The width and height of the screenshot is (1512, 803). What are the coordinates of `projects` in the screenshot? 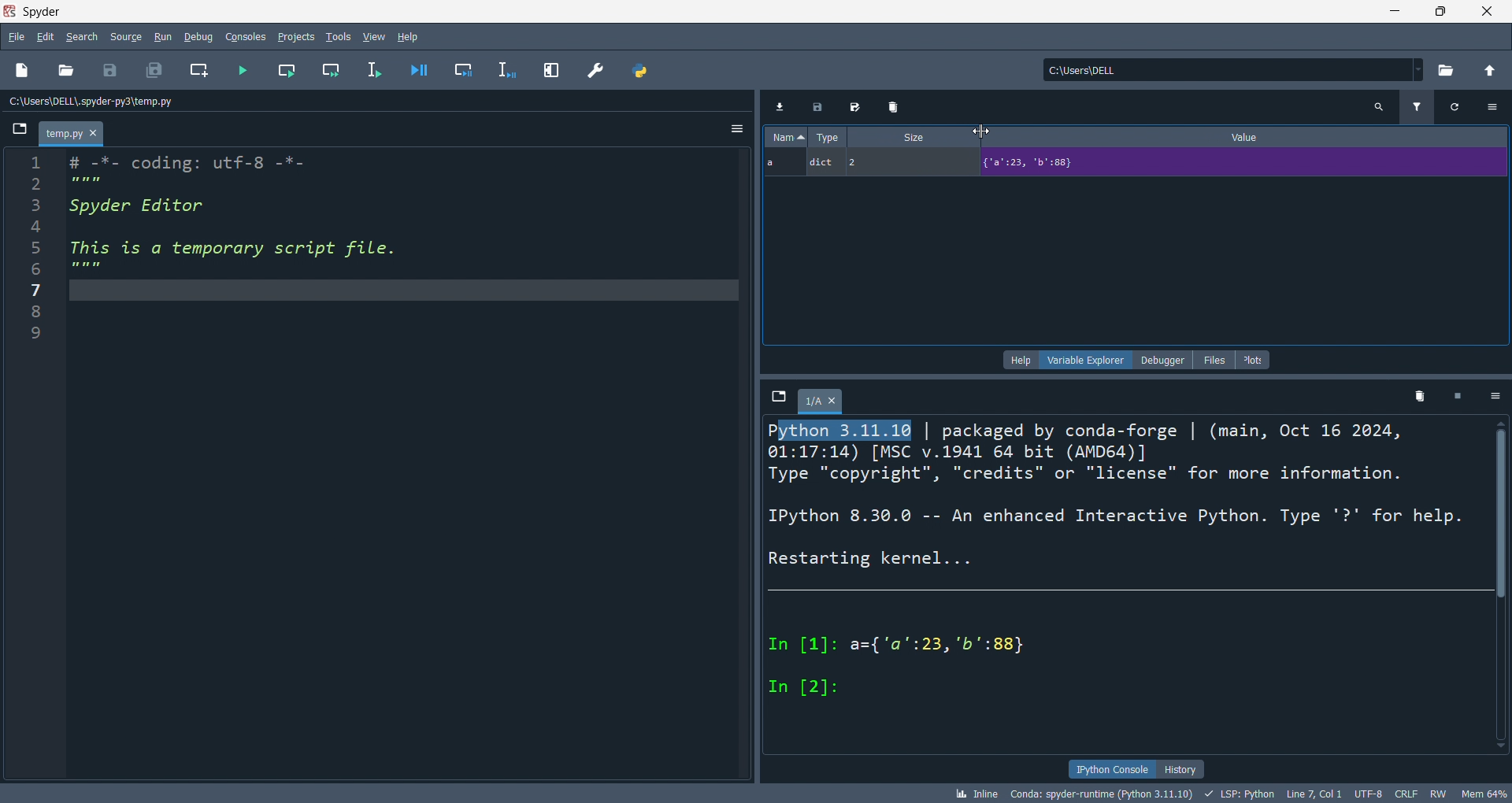 It's located at (291, 35).